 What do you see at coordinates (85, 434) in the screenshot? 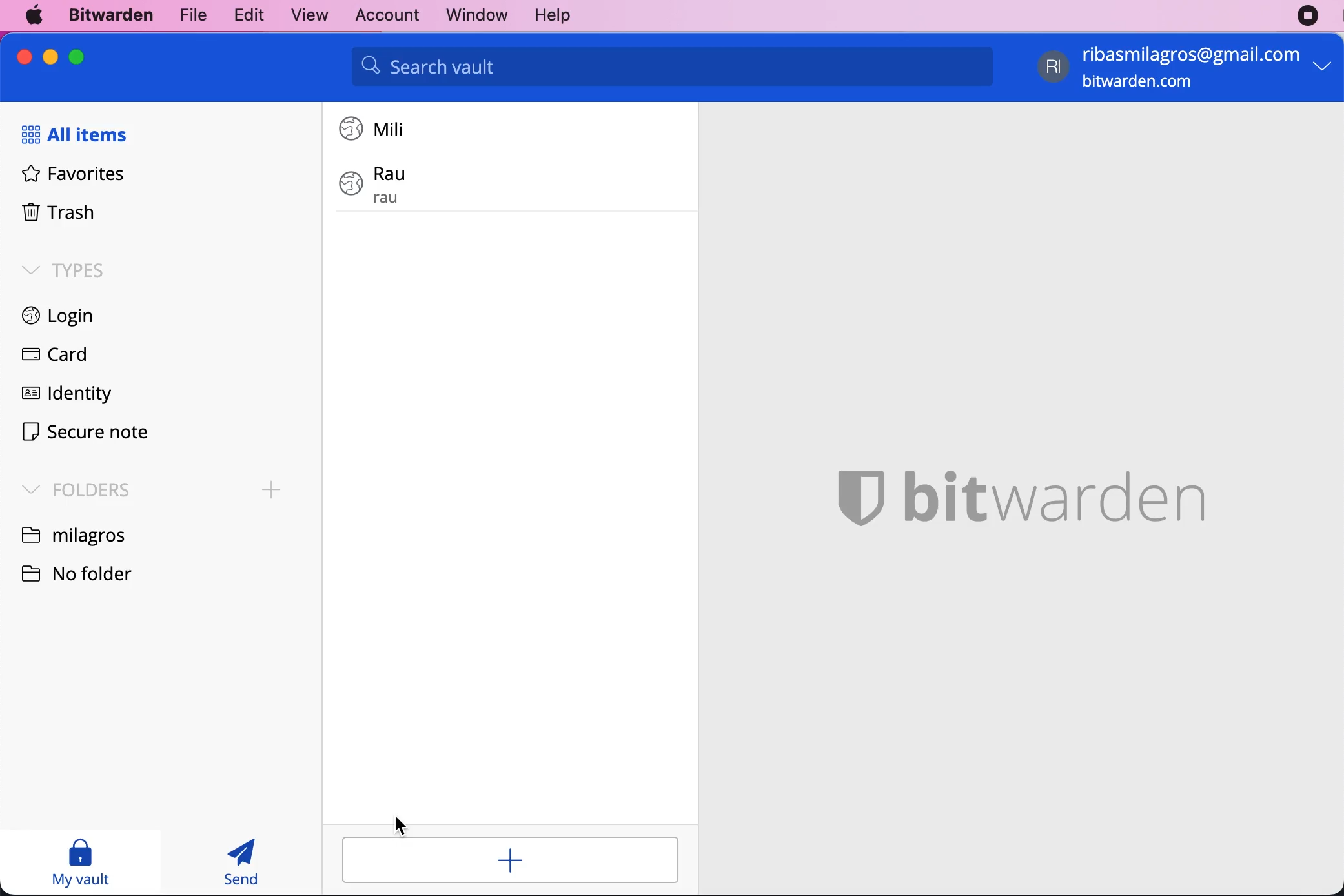
I see `secure note` at bounding box center [85, 434].